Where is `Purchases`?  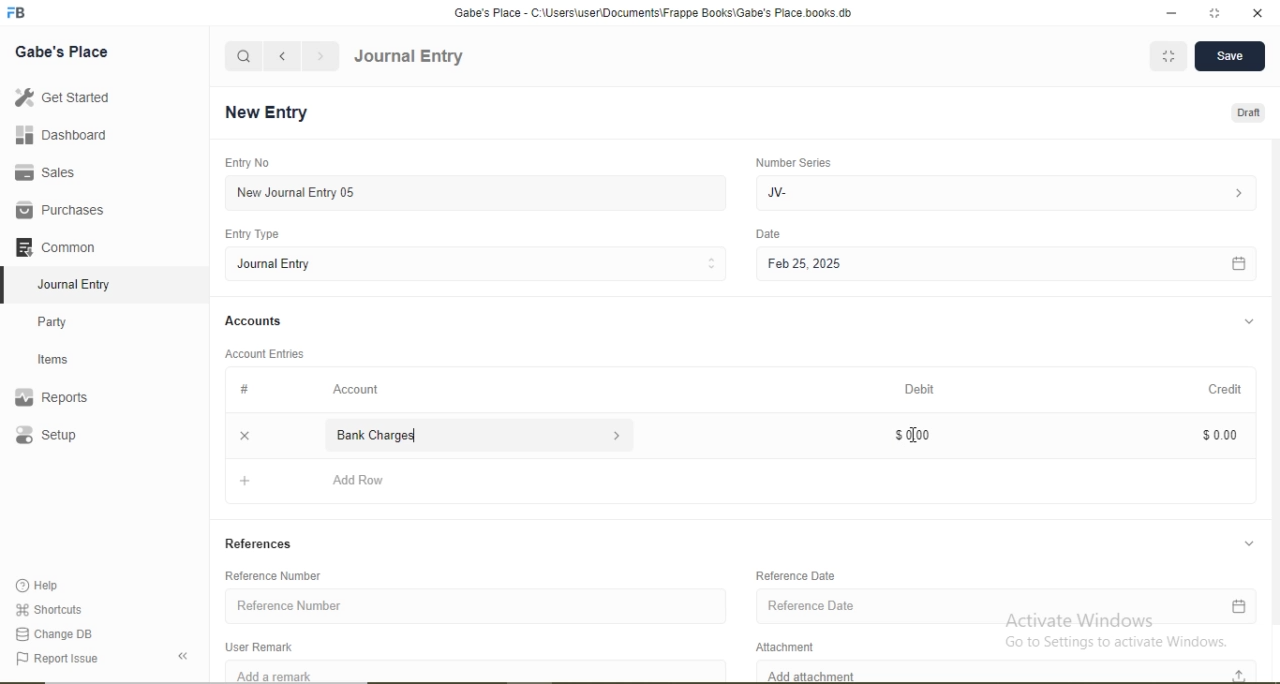 Purchases is located at coordinates (60, 210).